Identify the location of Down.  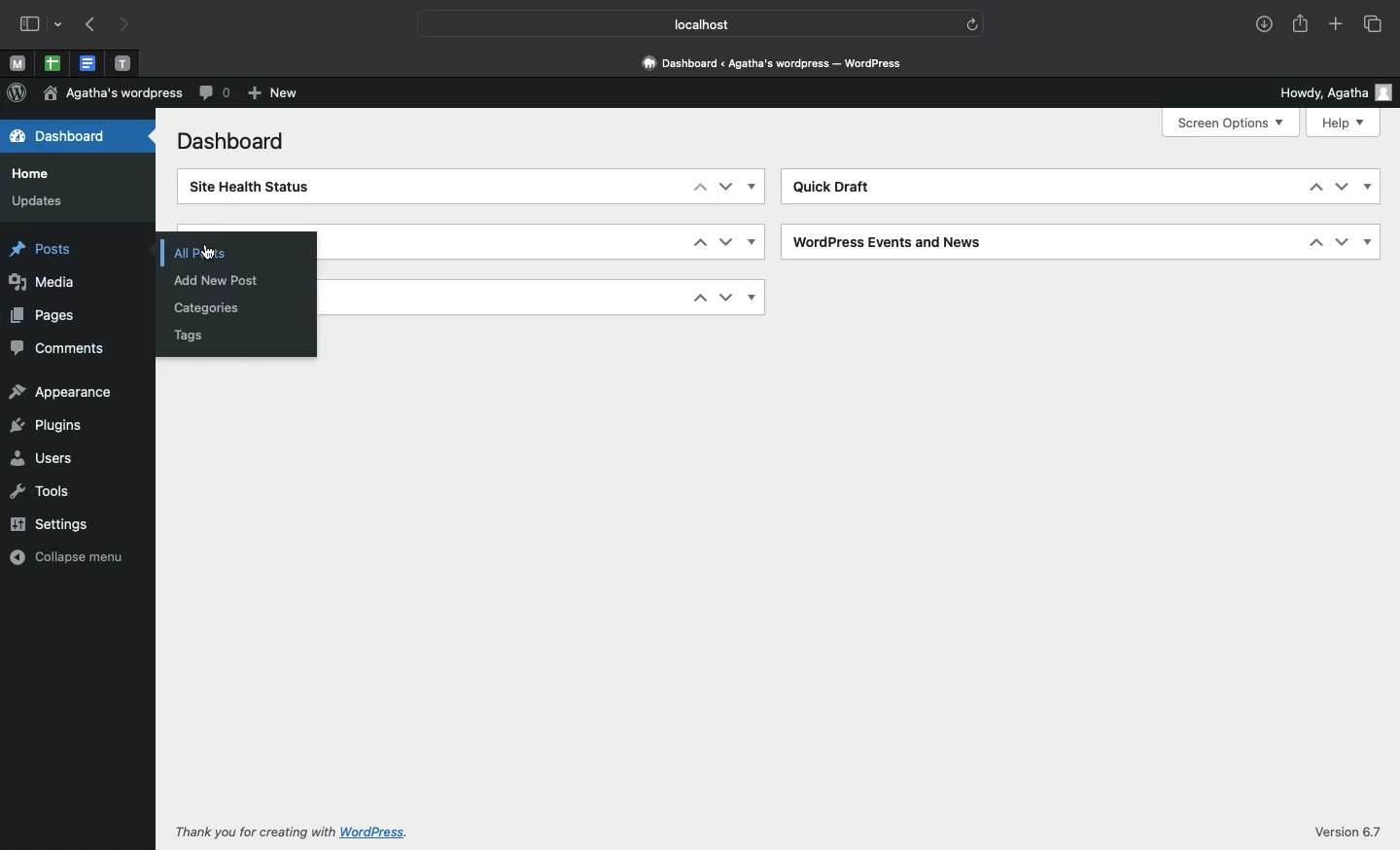
(1341, 187).